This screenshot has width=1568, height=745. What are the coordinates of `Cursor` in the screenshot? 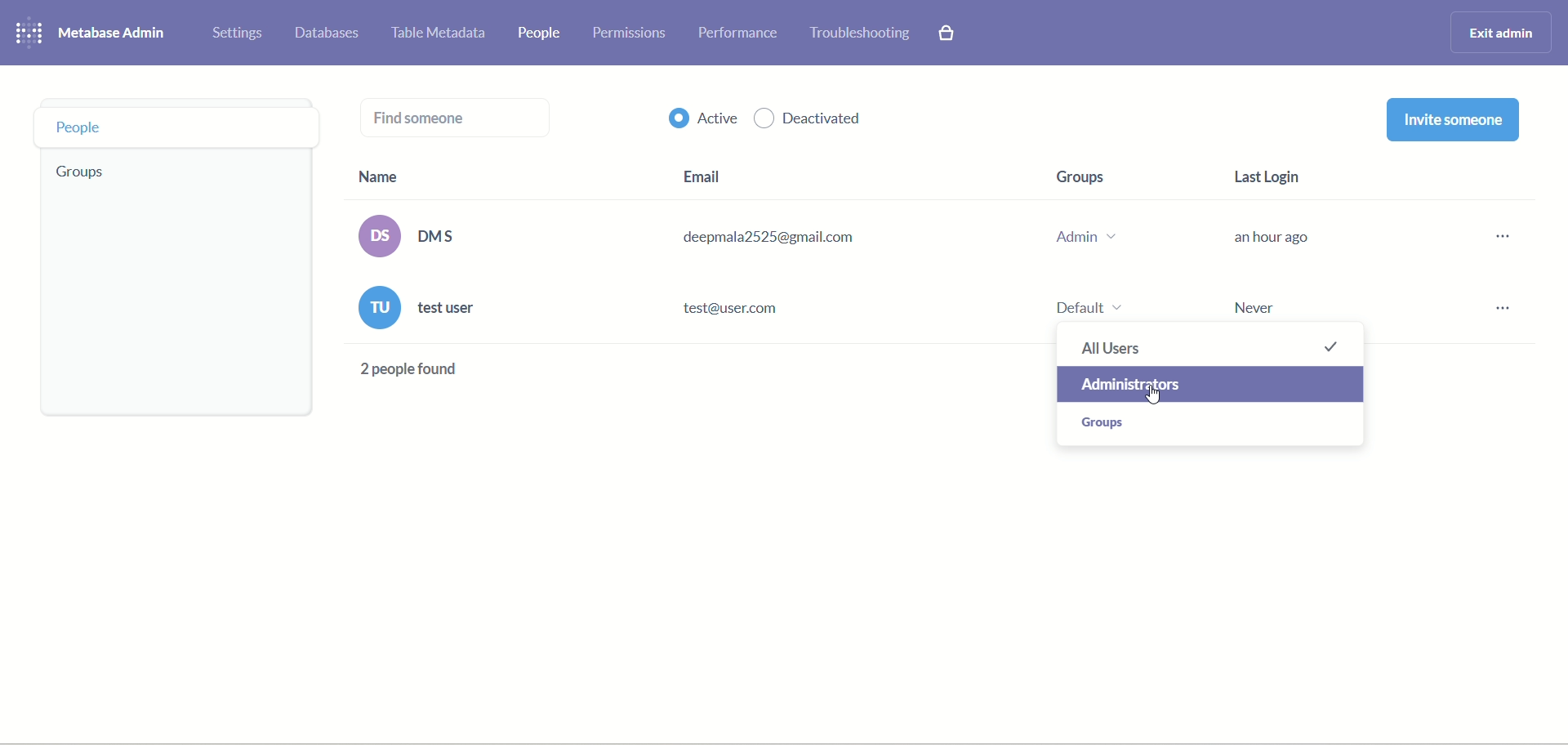 It's located at (1158, 401).